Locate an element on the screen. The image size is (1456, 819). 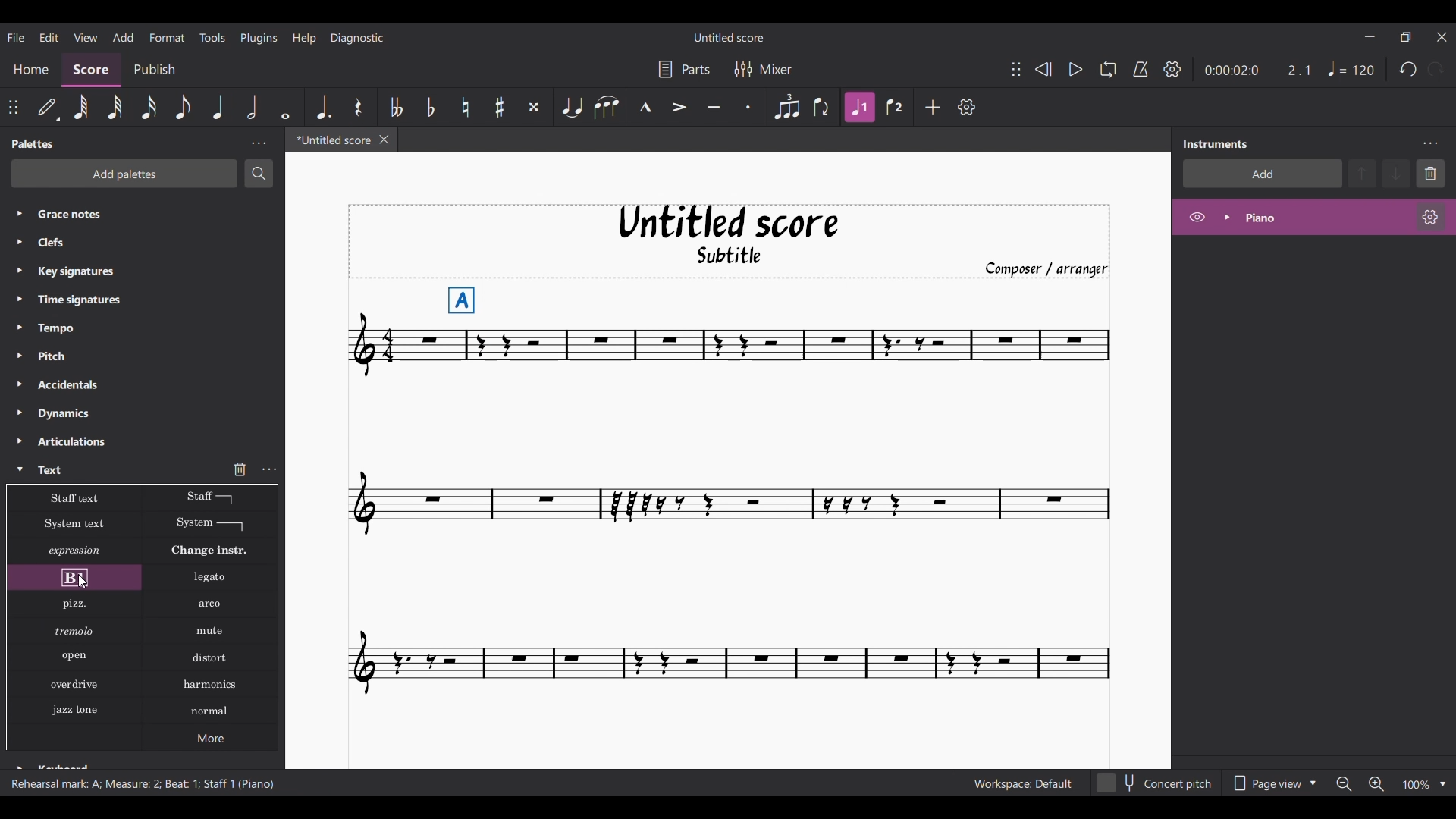
Highlighted after current selection is located at coordinates (356, 106).